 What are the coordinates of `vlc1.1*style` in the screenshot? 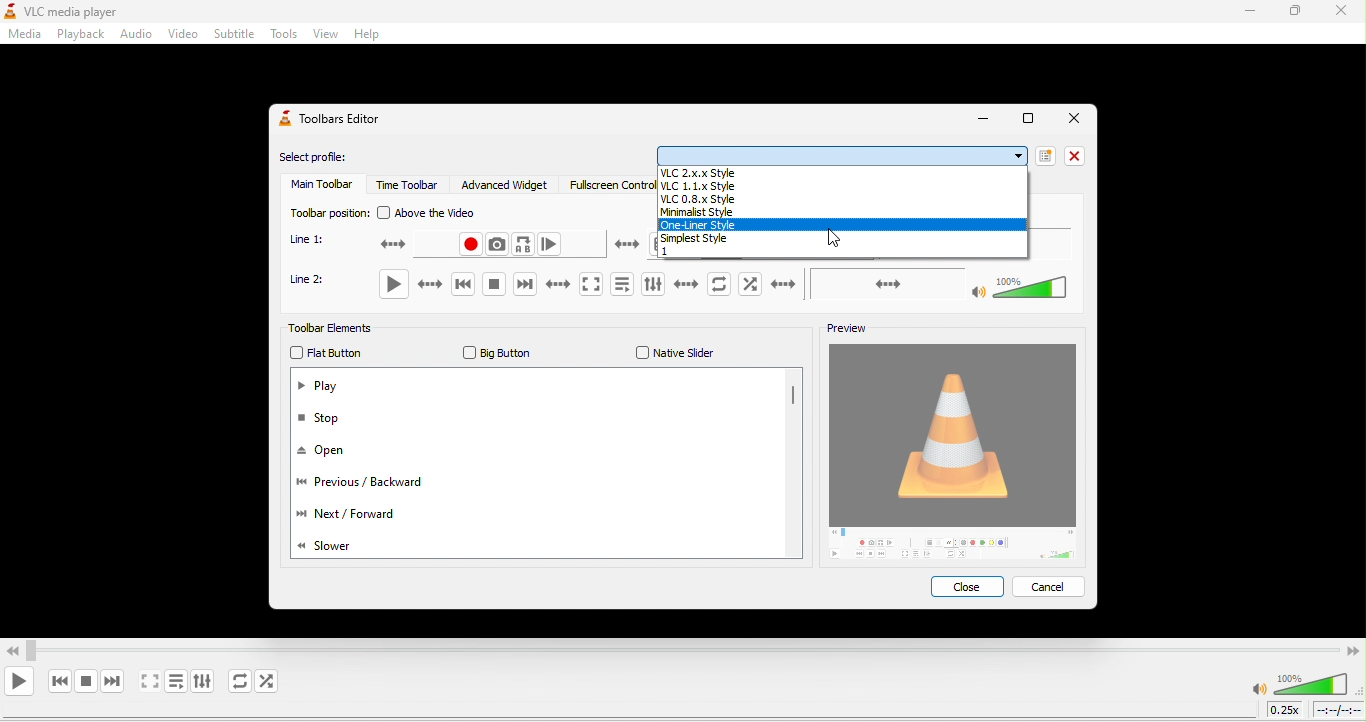 It's located at (842, 186).